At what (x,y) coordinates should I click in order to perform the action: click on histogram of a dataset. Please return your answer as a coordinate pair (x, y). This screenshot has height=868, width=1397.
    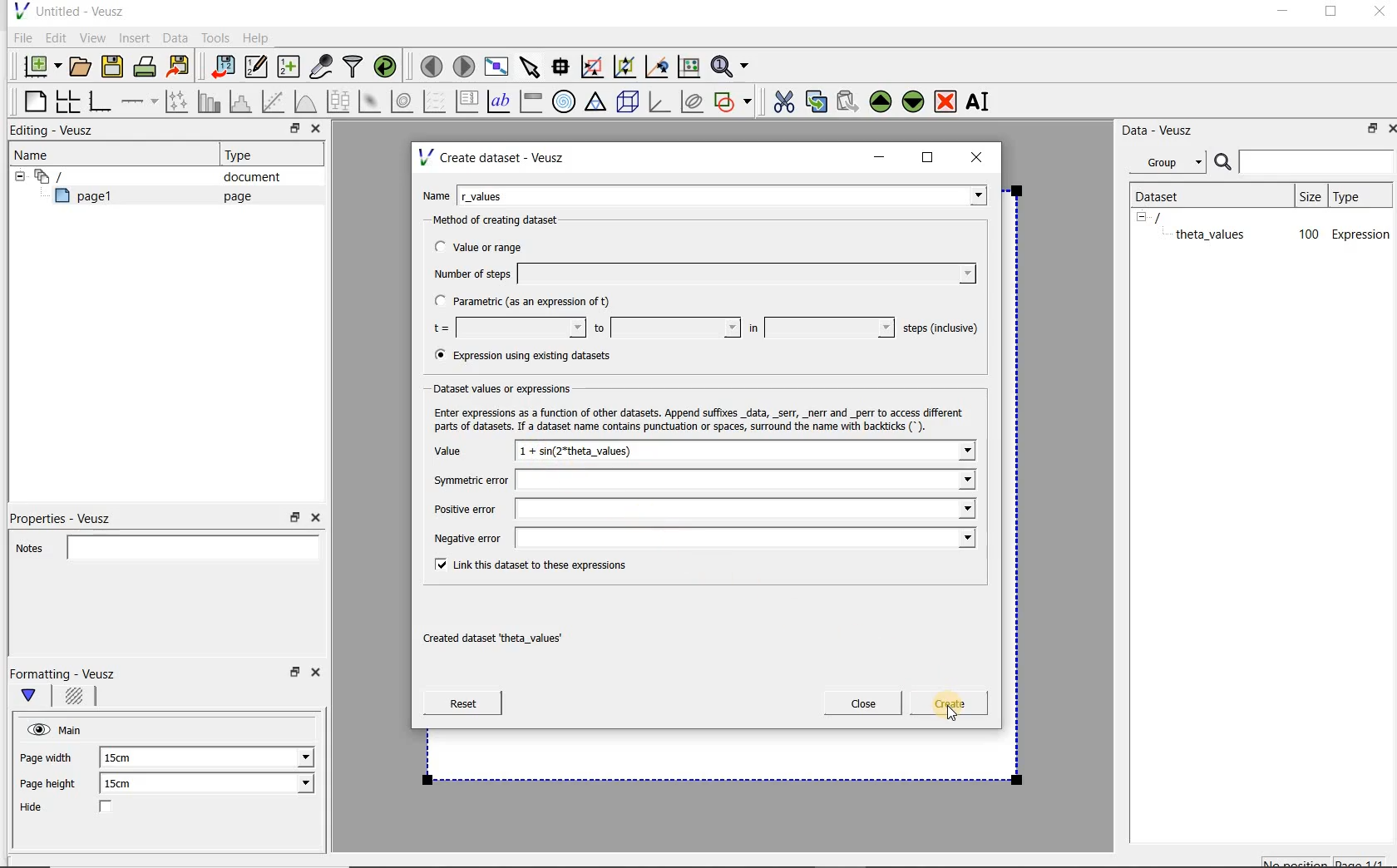
    Looking at the image, I should click on (243, 101).